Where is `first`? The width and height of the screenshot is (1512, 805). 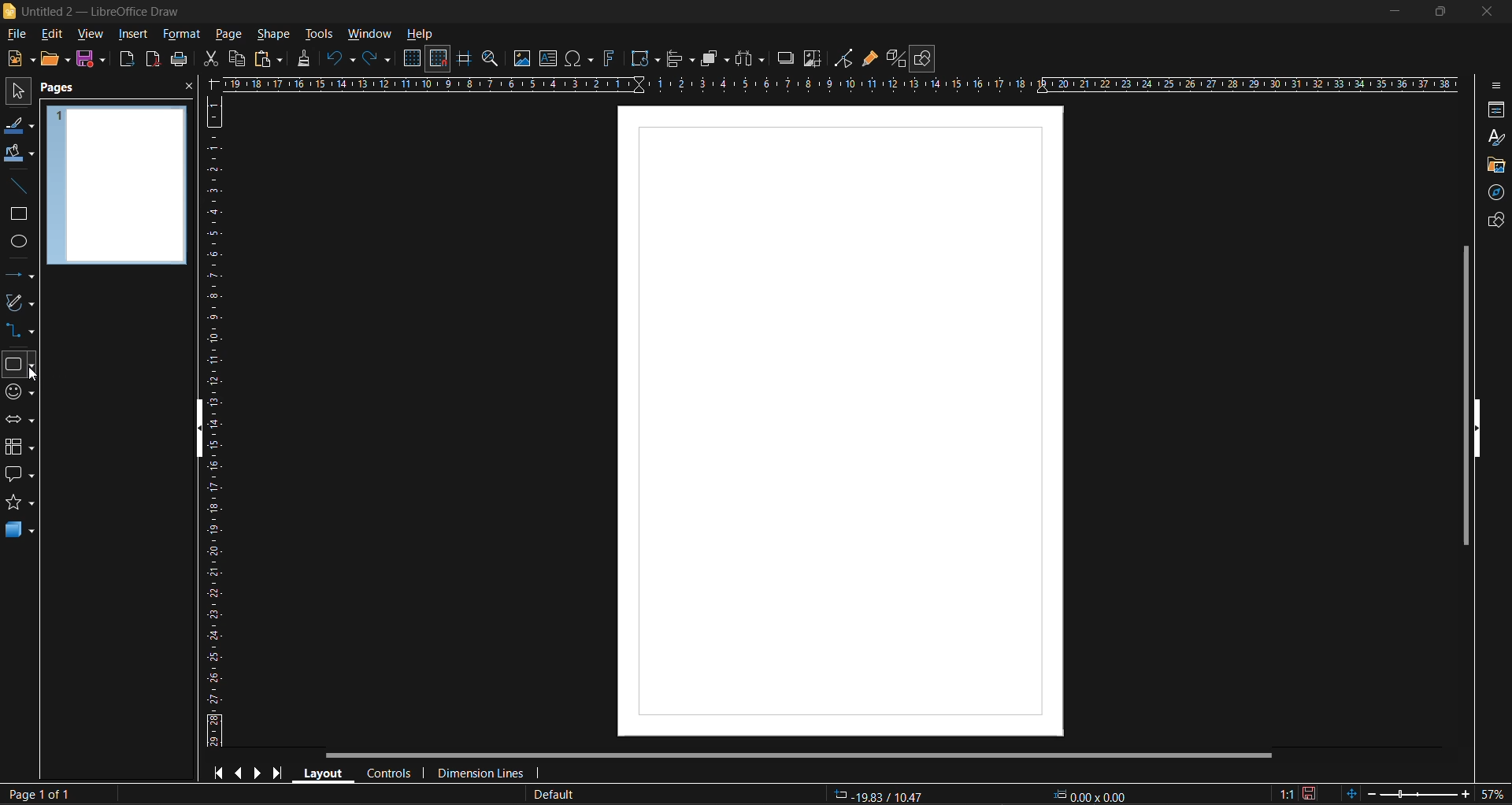 first is located at coordinates (217, 772).